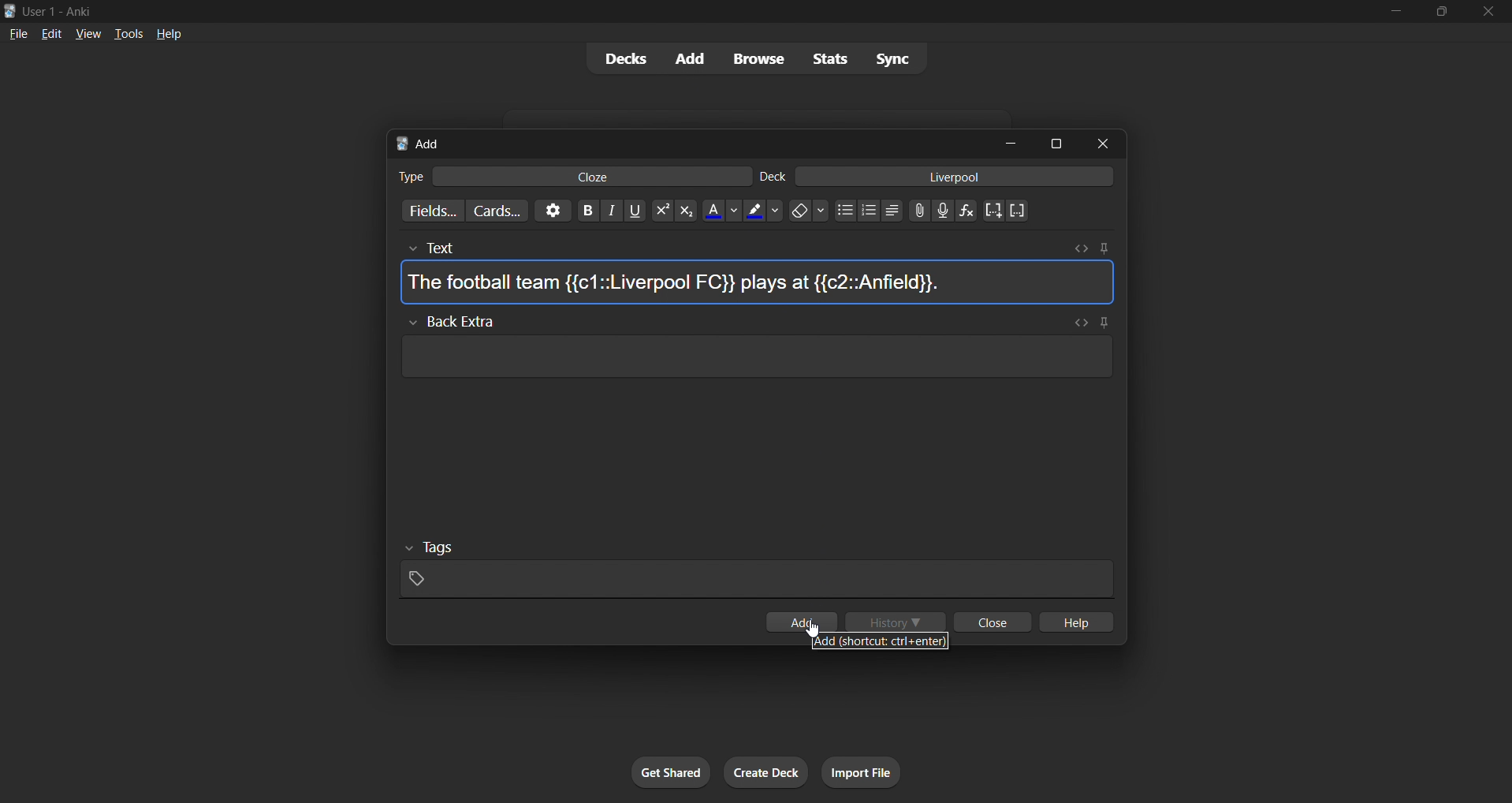 The width and height of the screenshot is (1512, 803). What do you see at coordinates (1105, 321) in the screenshot?
I see `toggle sticky` at bounding box center [1105, 321].